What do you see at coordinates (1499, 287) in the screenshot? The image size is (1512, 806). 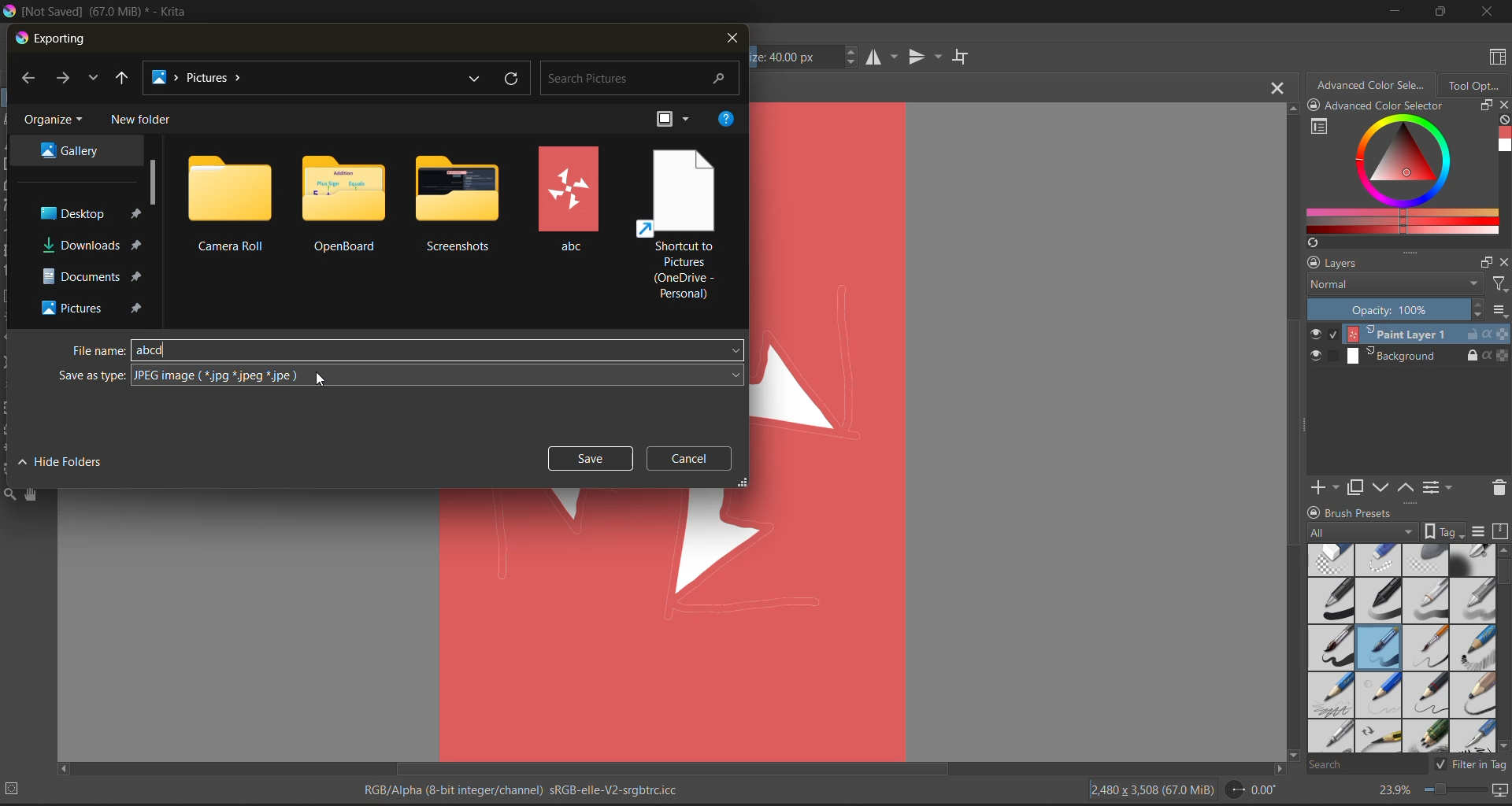 I see `filters` at bounding box center [1499, 287].